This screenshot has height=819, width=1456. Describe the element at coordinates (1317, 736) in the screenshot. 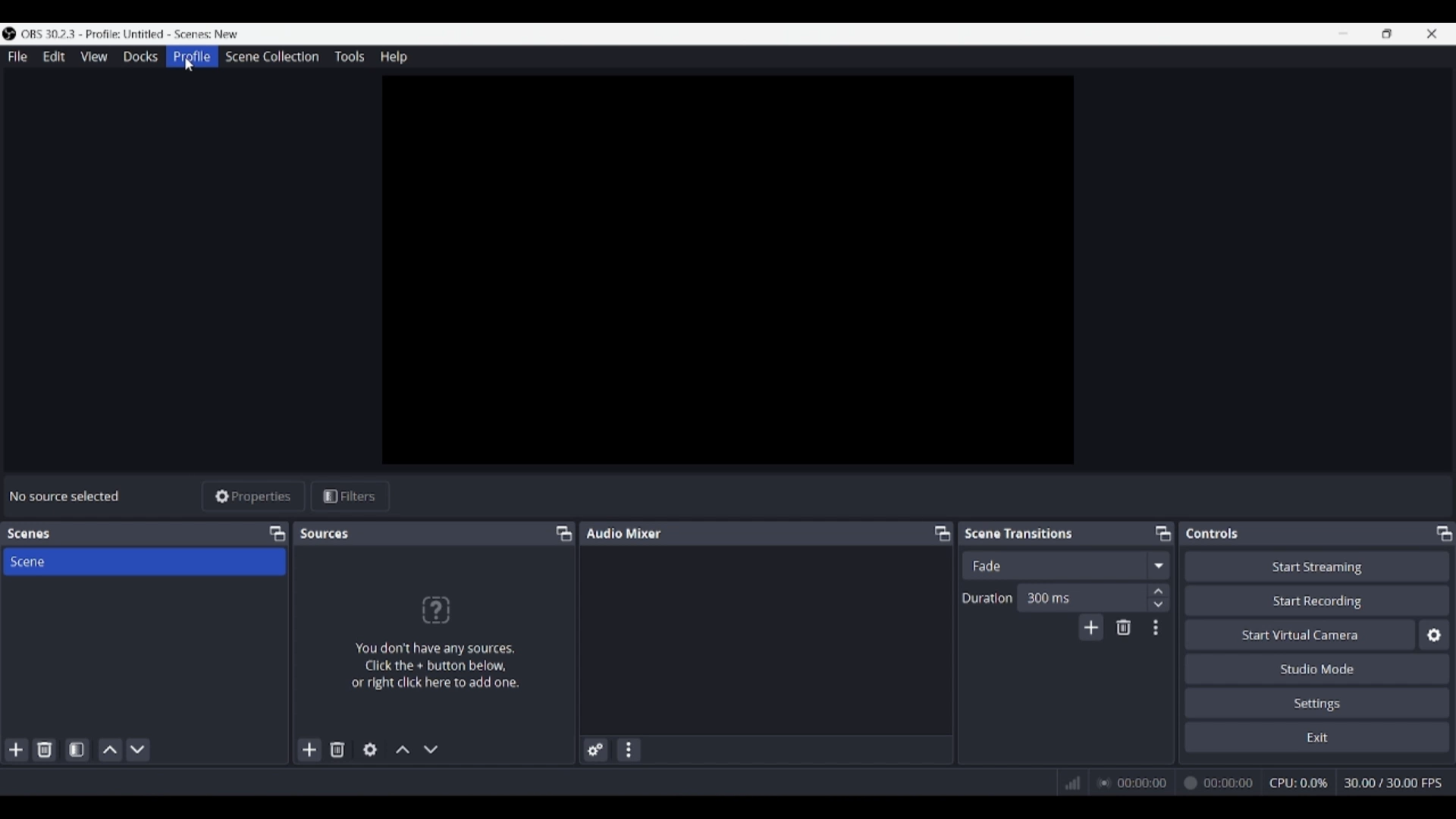

I see `Exit` at that location.